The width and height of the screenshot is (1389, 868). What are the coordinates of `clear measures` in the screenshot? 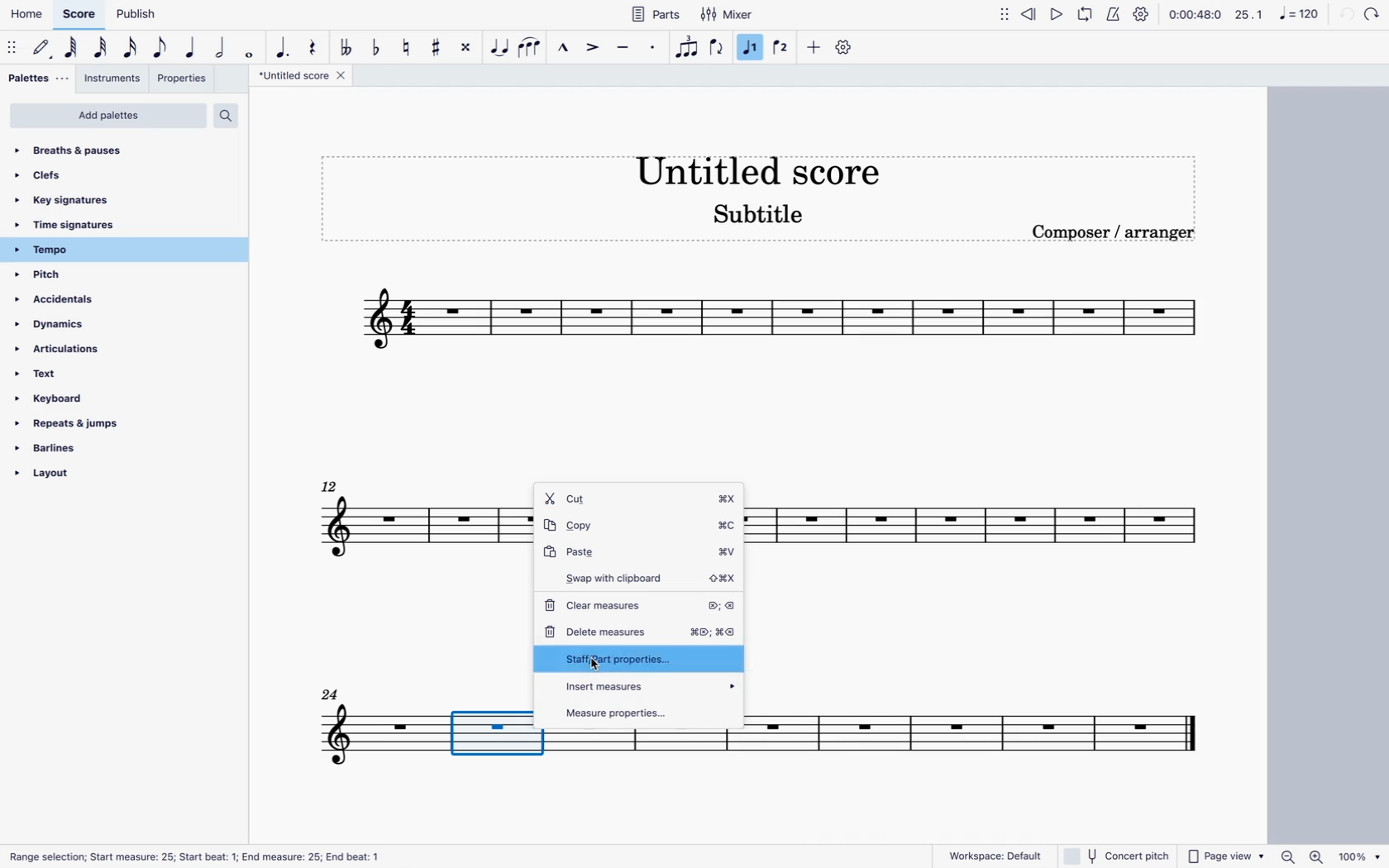 It's located at (642, 605).